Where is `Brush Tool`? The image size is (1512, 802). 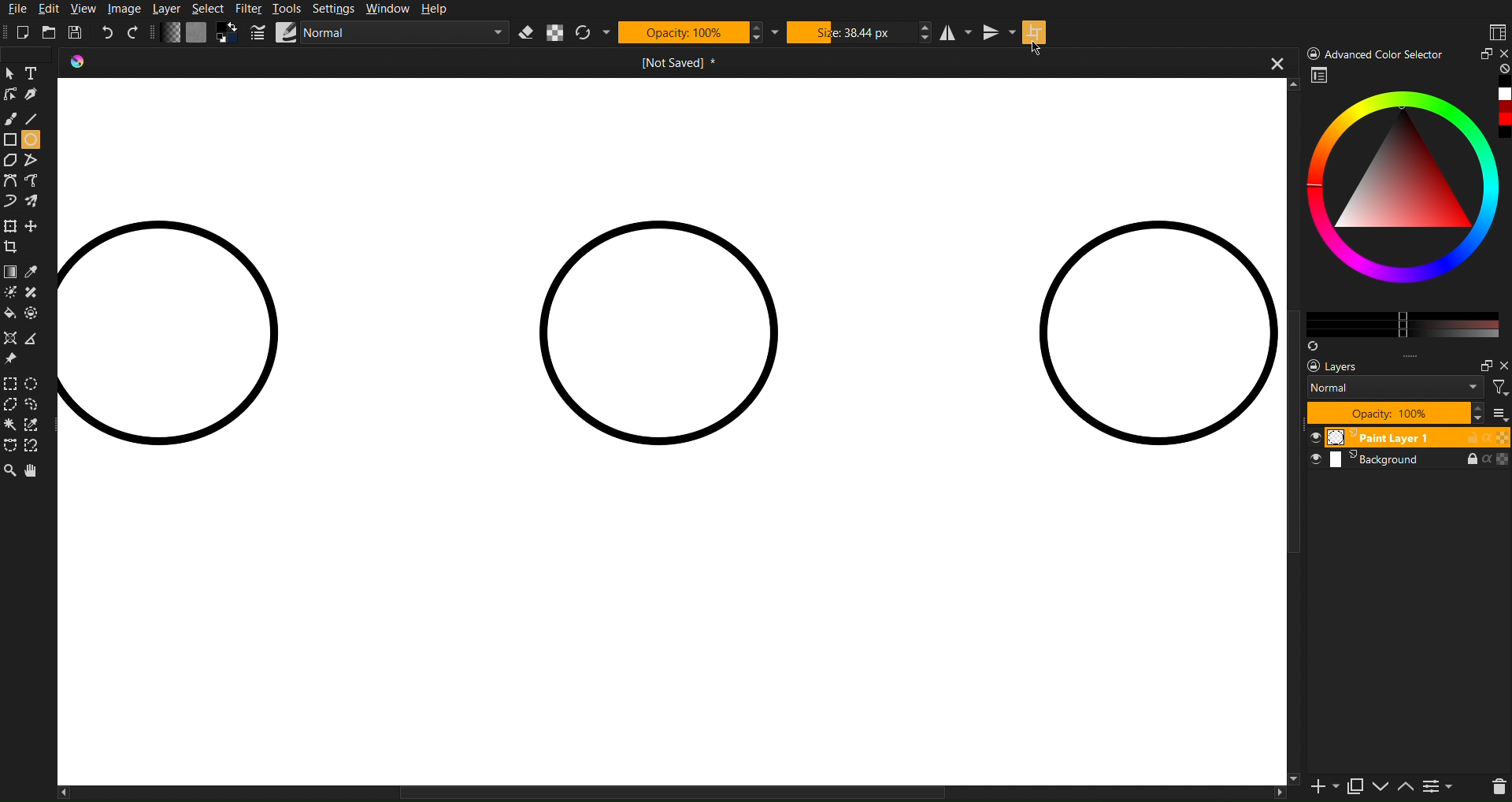
Brush Tool is located at coordinates (9, 119).